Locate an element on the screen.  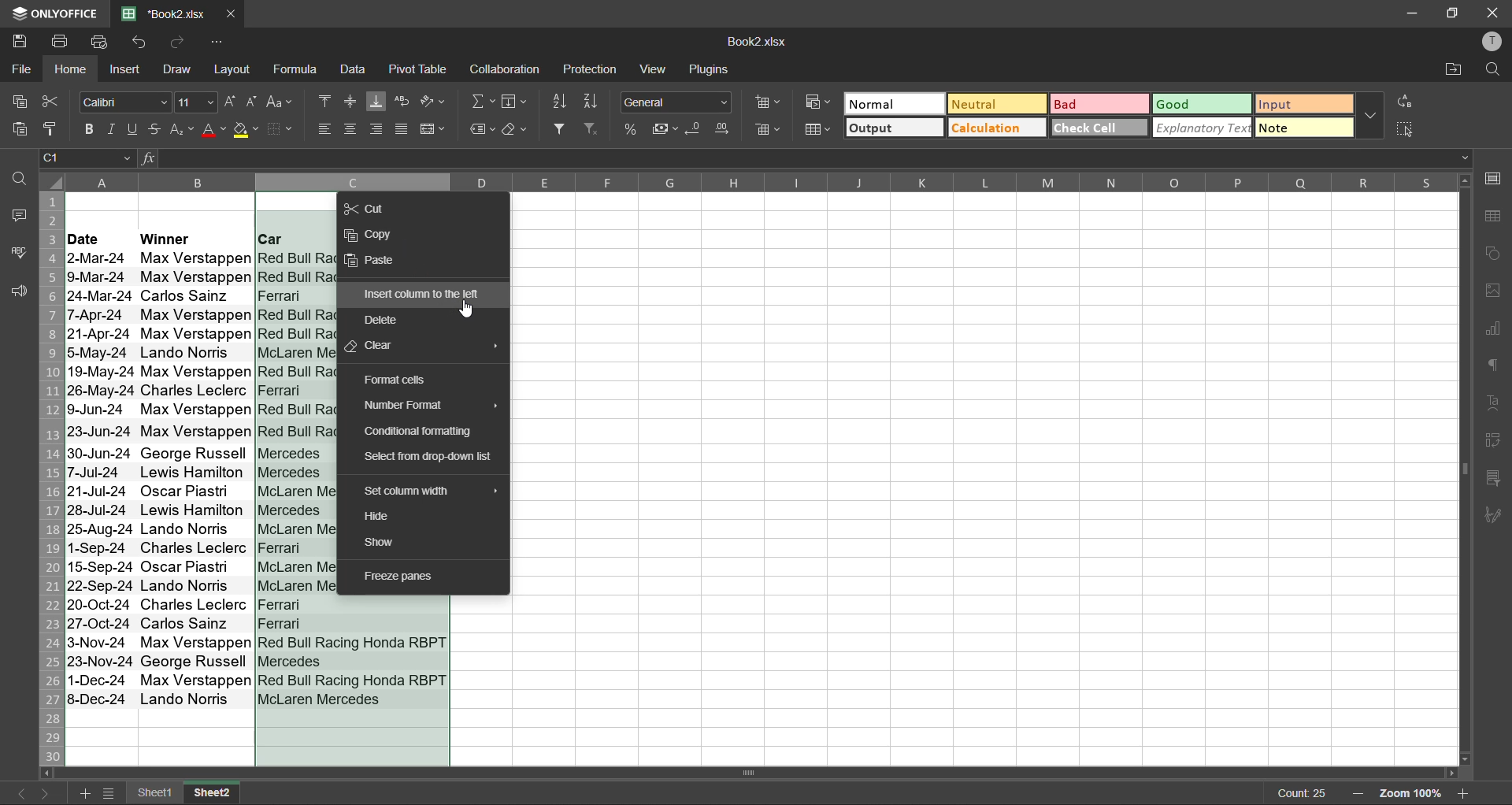
decrement size is located at coordinates (254, 100).